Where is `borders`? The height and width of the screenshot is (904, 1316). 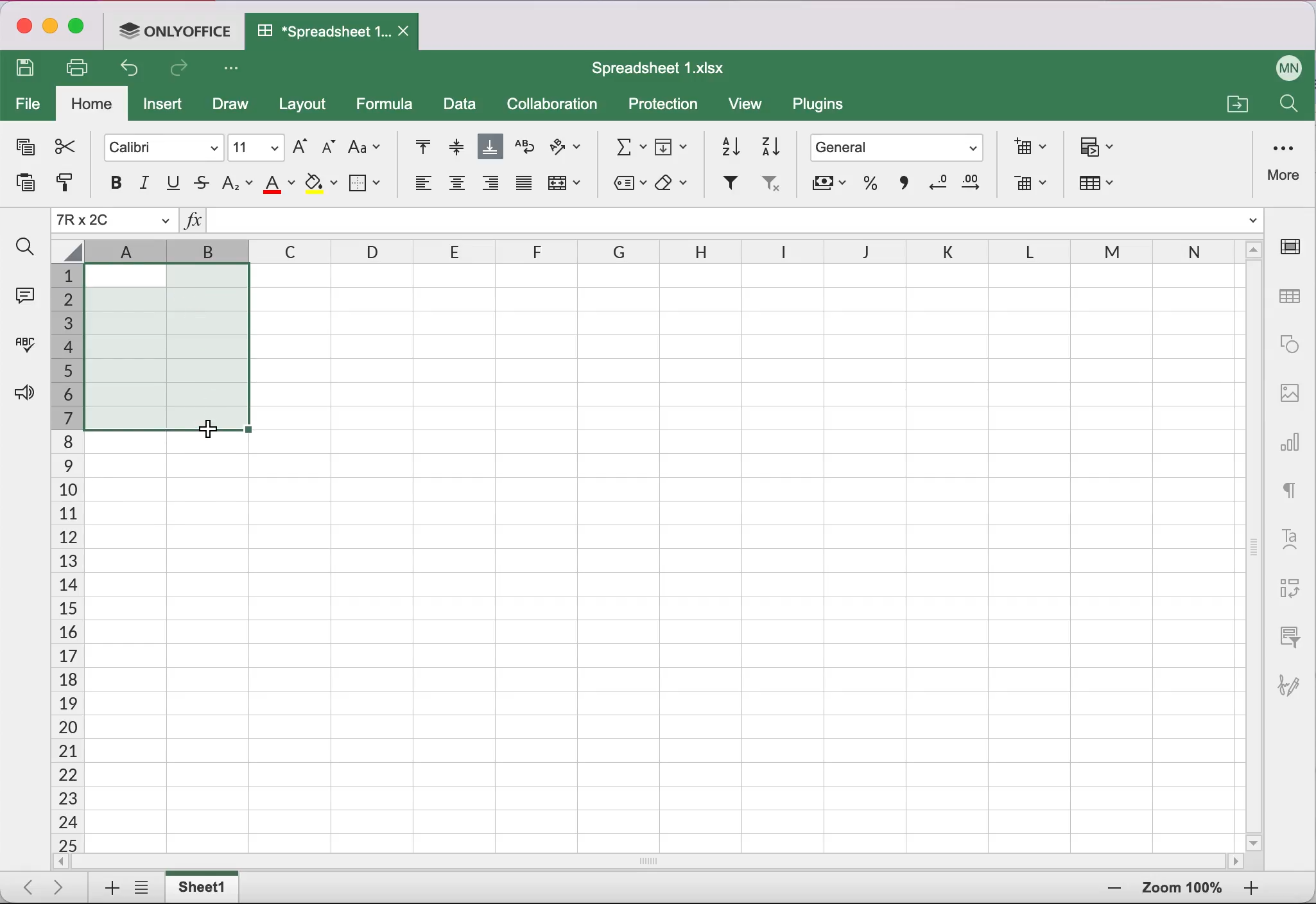 borders is located at coordinates (367, 182).